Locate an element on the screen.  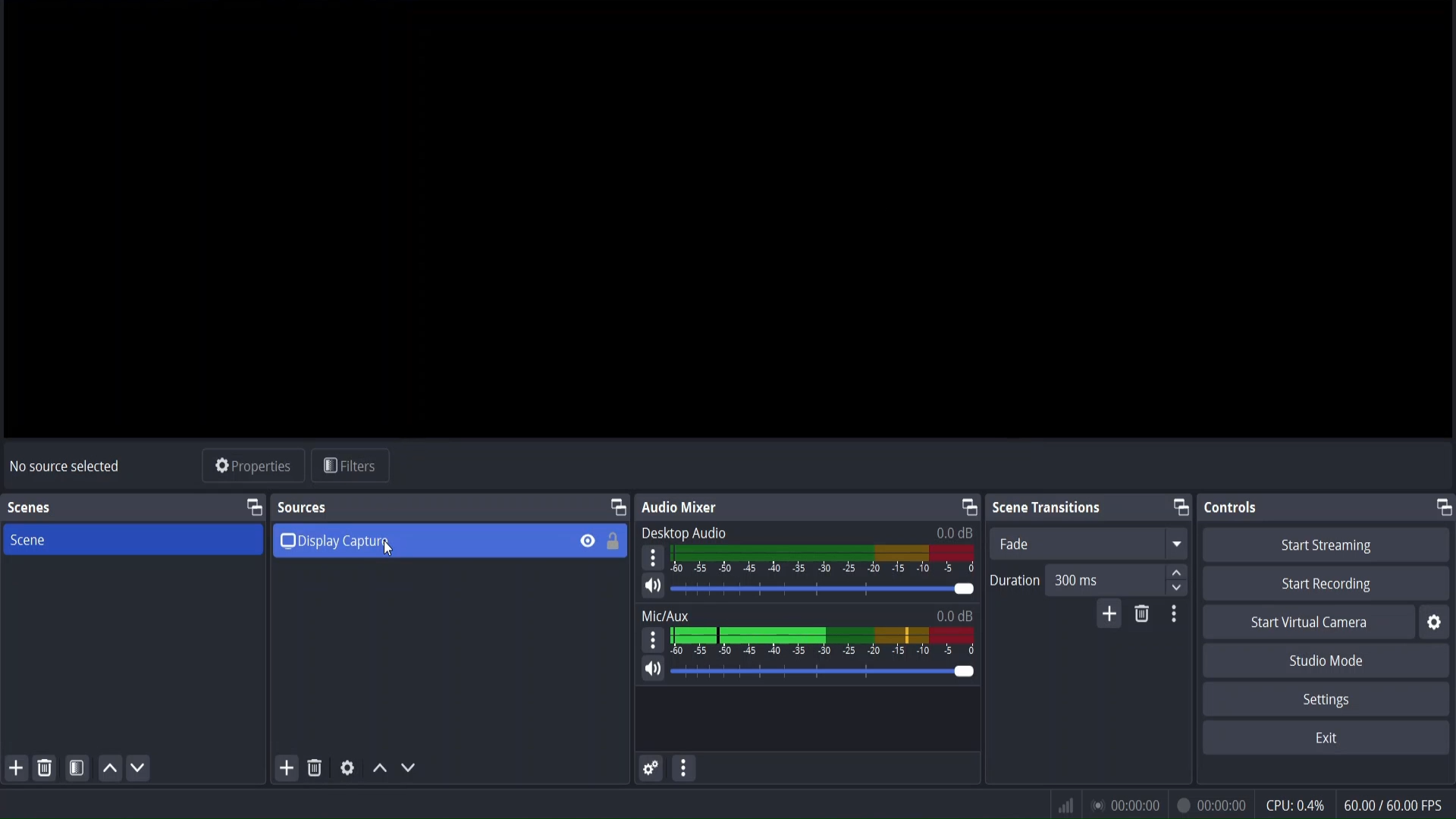
Desktop Audio is located at coordinates (686, 529).